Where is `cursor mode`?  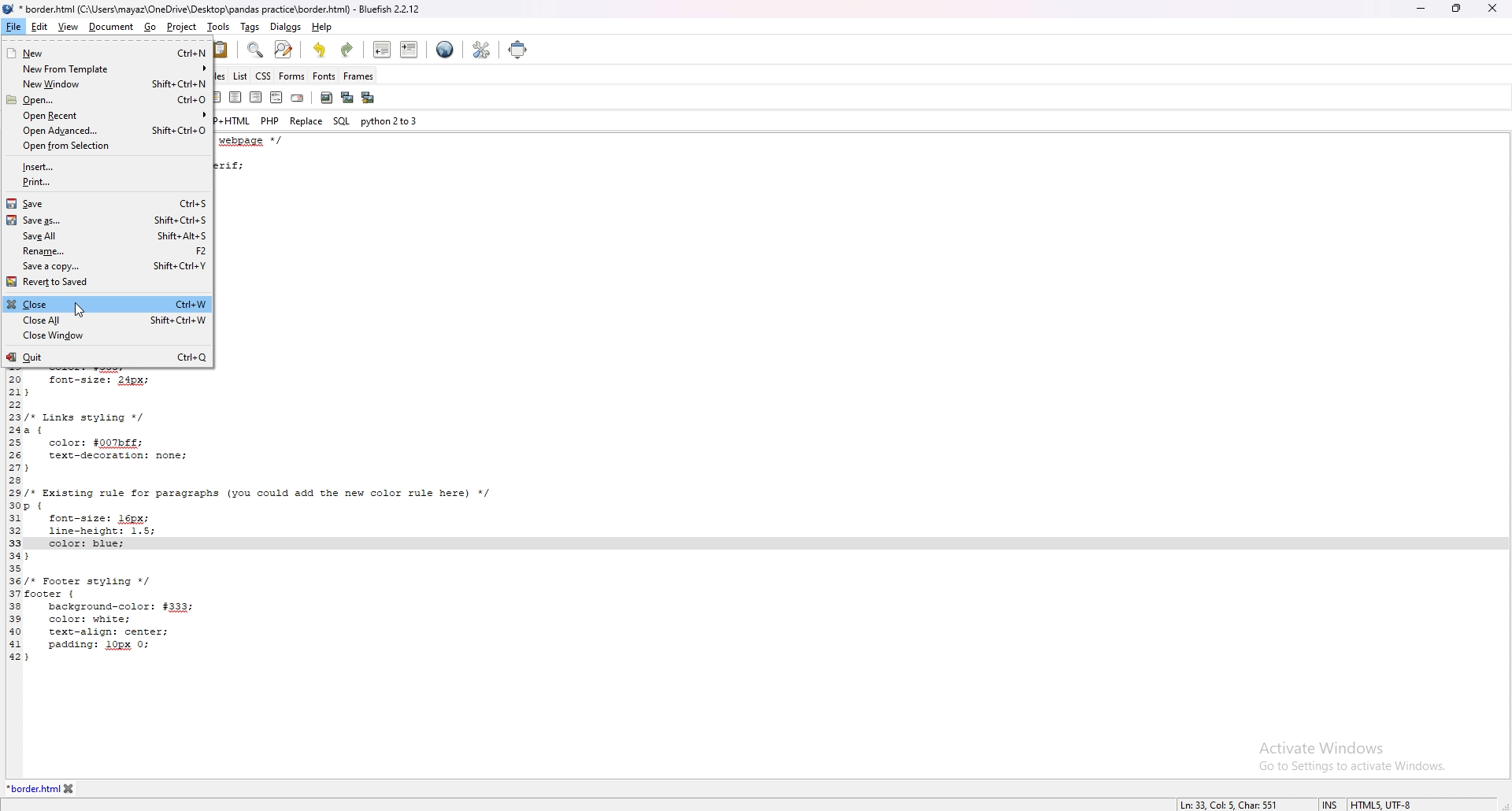 cursor mode is located at coordinates (1332, 802).